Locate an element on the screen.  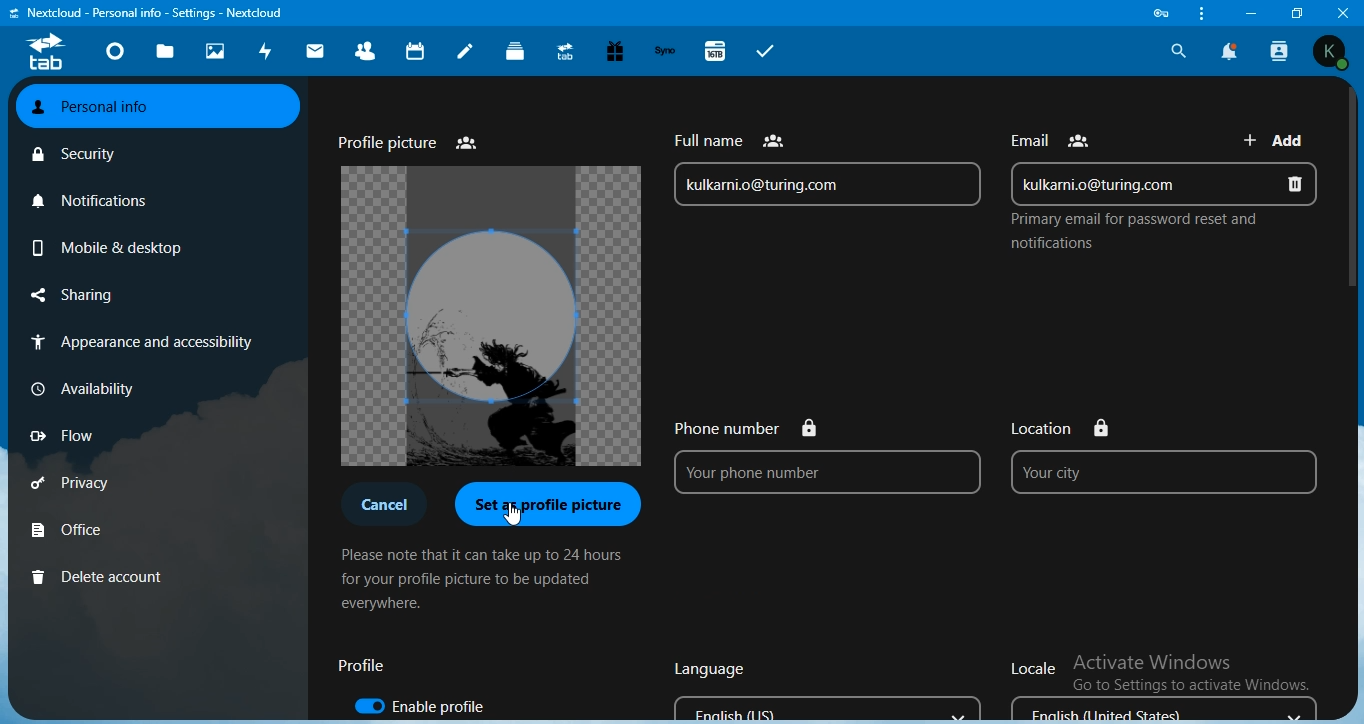
email is located at coordinates (1165, 181).